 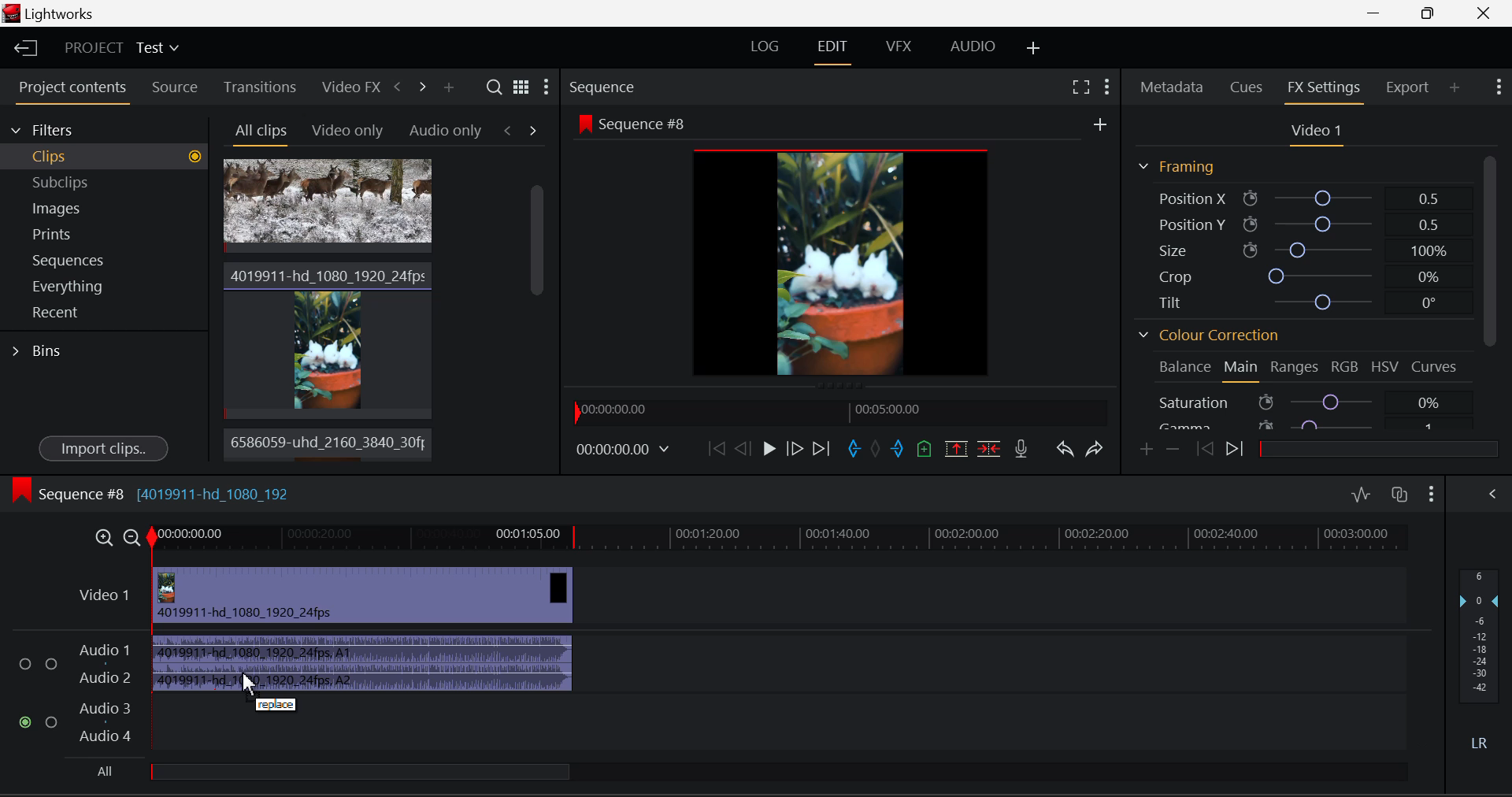 What do you see at coordinates (742, 447) in the screenshot?
I see `Go Back` at bounding box center [742, 447].